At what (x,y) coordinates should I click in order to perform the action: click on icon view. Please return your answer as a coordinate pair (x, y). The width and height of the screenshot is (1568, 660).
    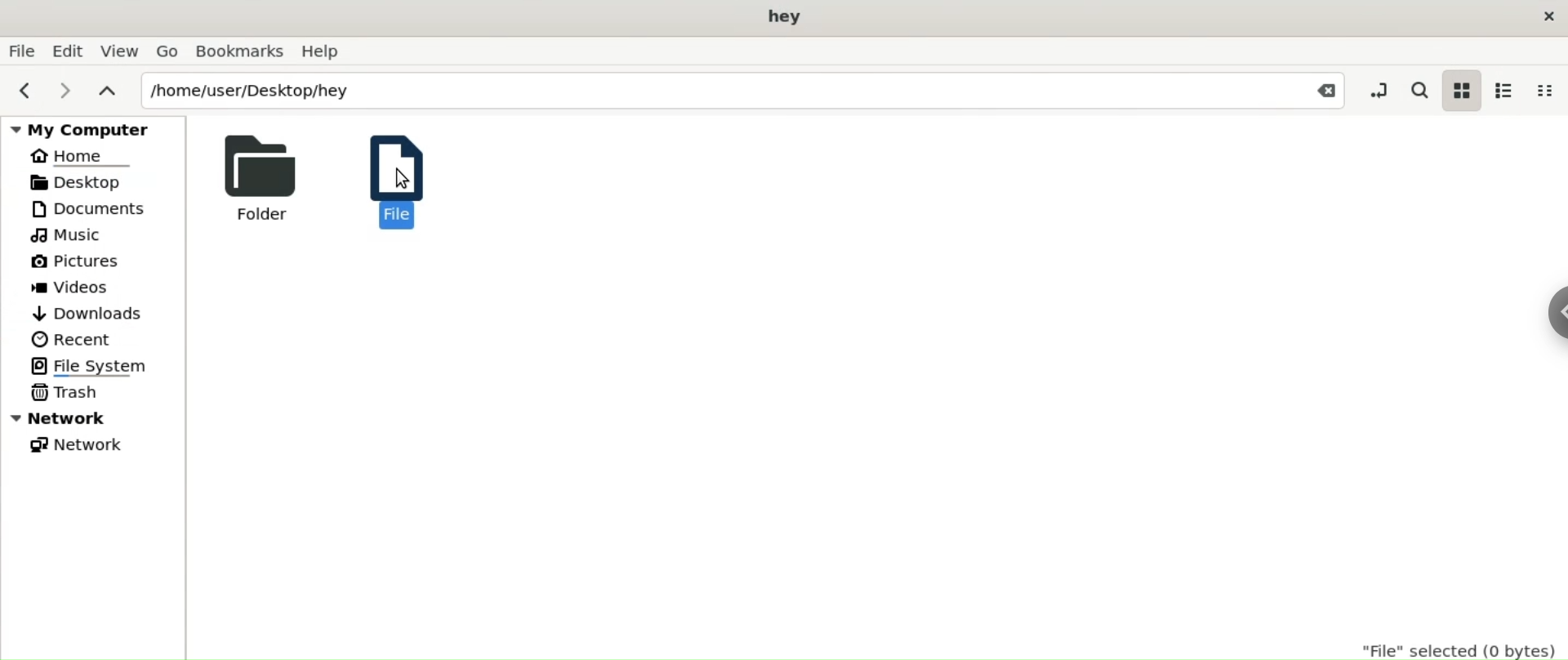
    Looking at the image, I should click on (1463, 93).